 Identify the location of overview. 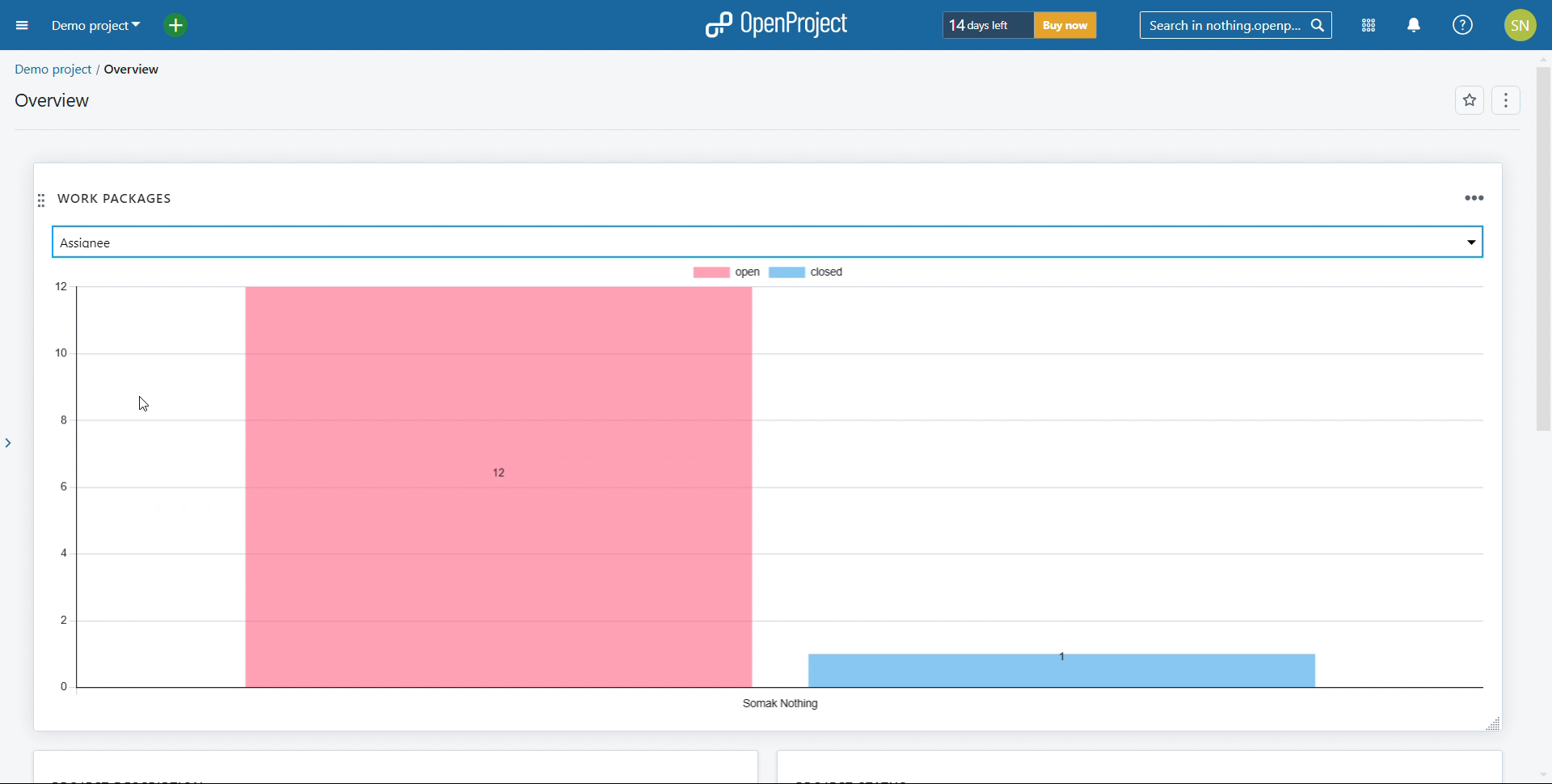
(144, 70).